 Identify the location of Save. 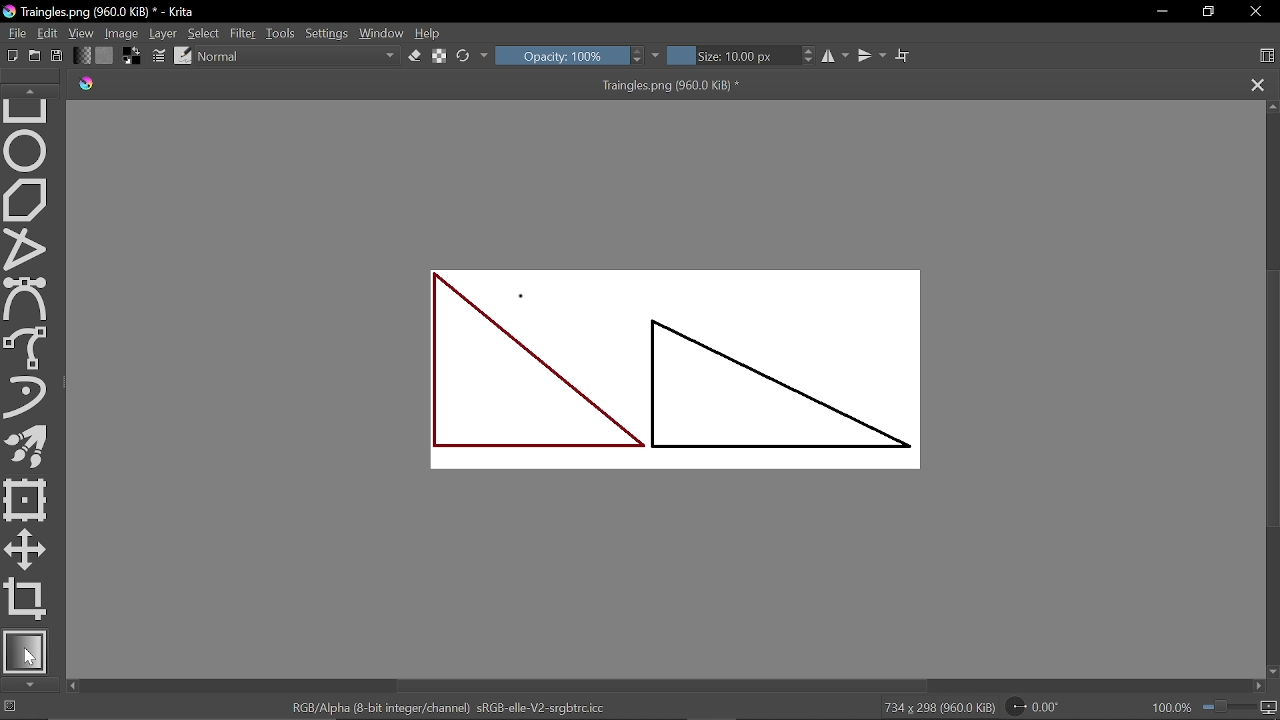
(59, 56).